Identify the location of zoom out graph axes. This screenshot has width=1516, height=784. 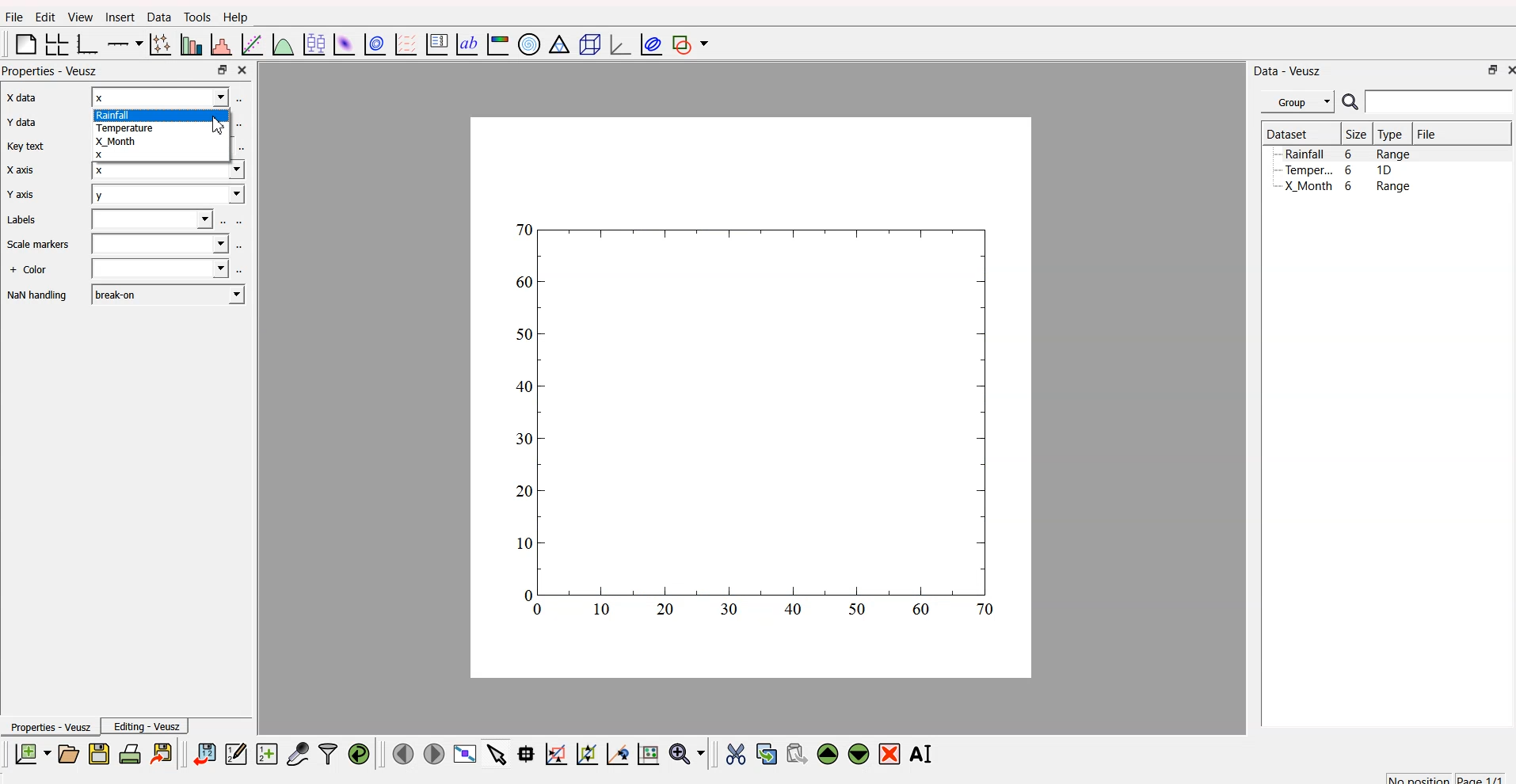
(616, 754).